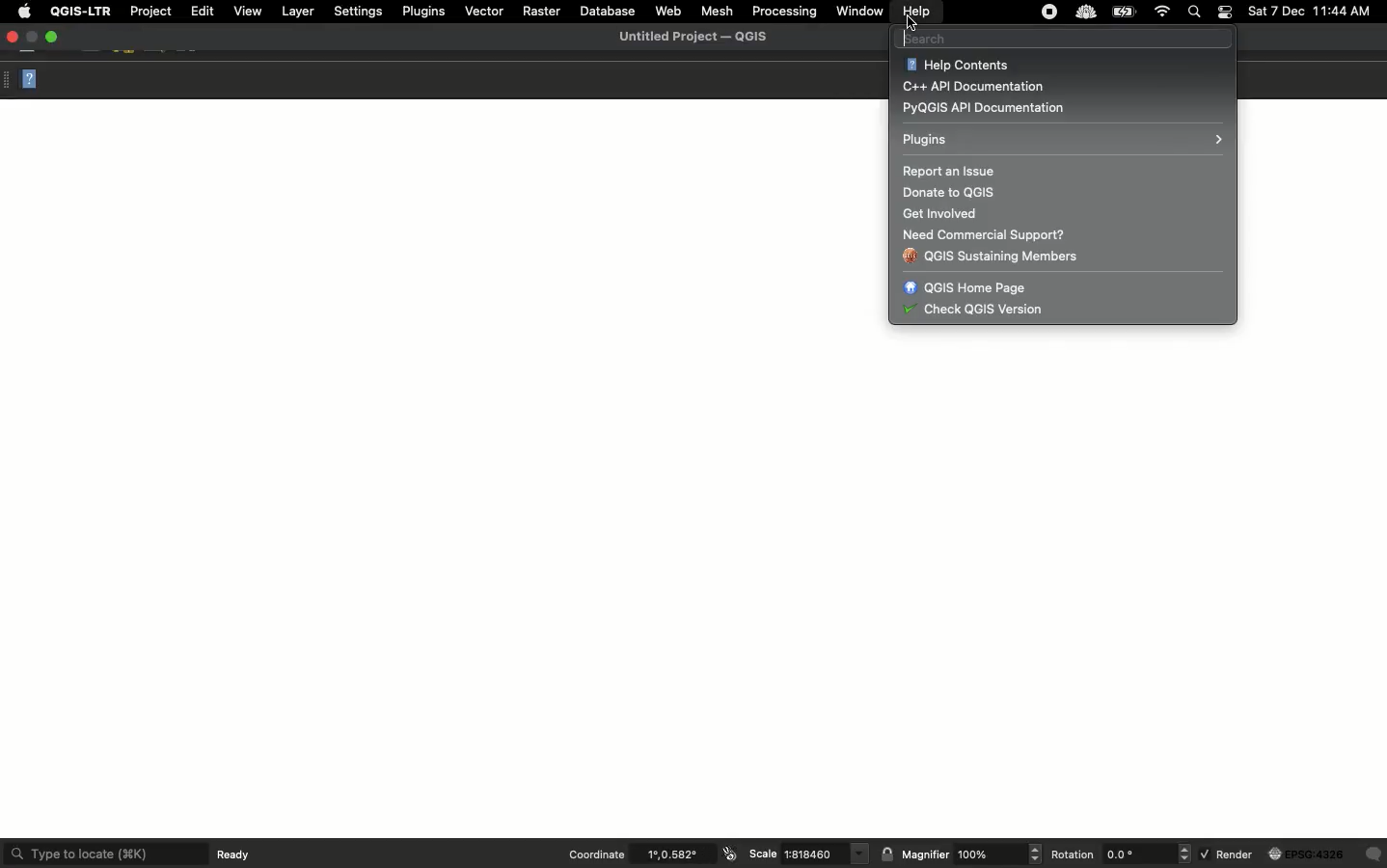  What do you see at coordinates (202, 11) in the screenshot?
I see `Edit` at bounding box center [202, 11].